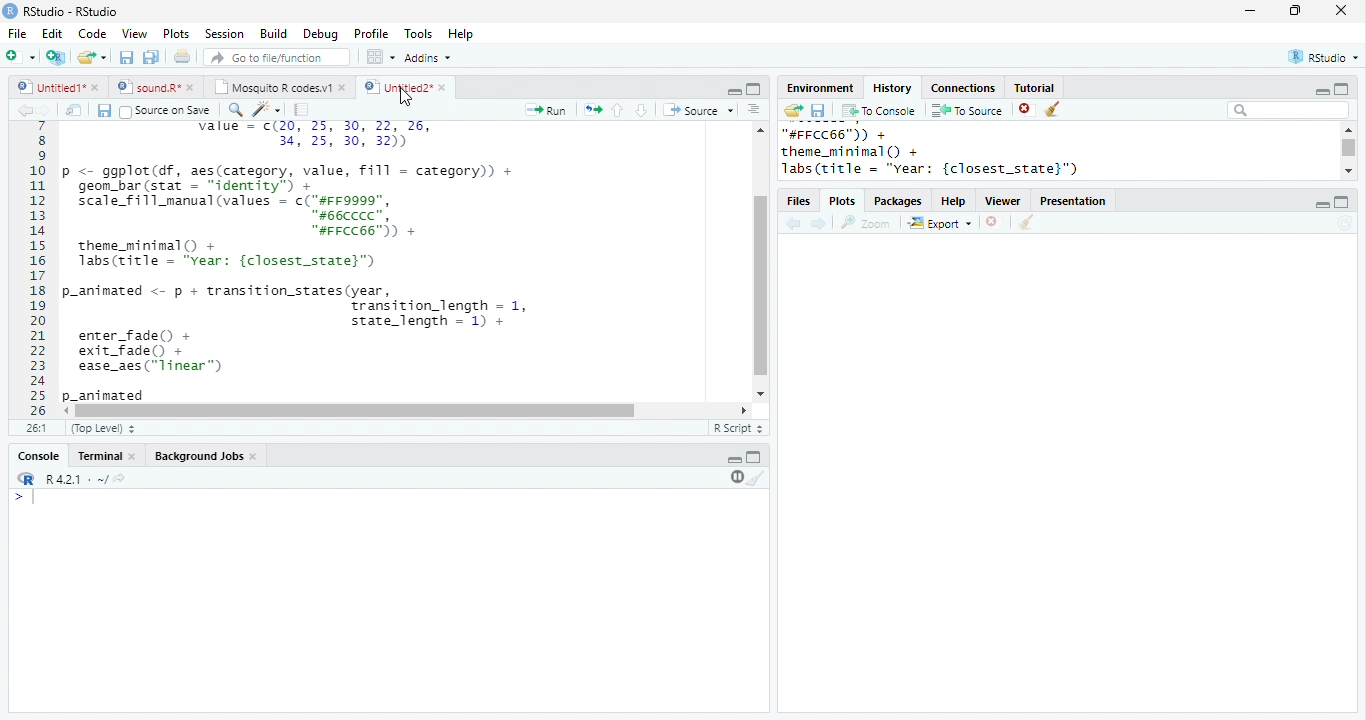  Describe the element at coordinates (304, 304) in the screenshot. I see `p-animated <- p + transition_states(year,Transition_length = 1, state_length = 1)+` at that location.